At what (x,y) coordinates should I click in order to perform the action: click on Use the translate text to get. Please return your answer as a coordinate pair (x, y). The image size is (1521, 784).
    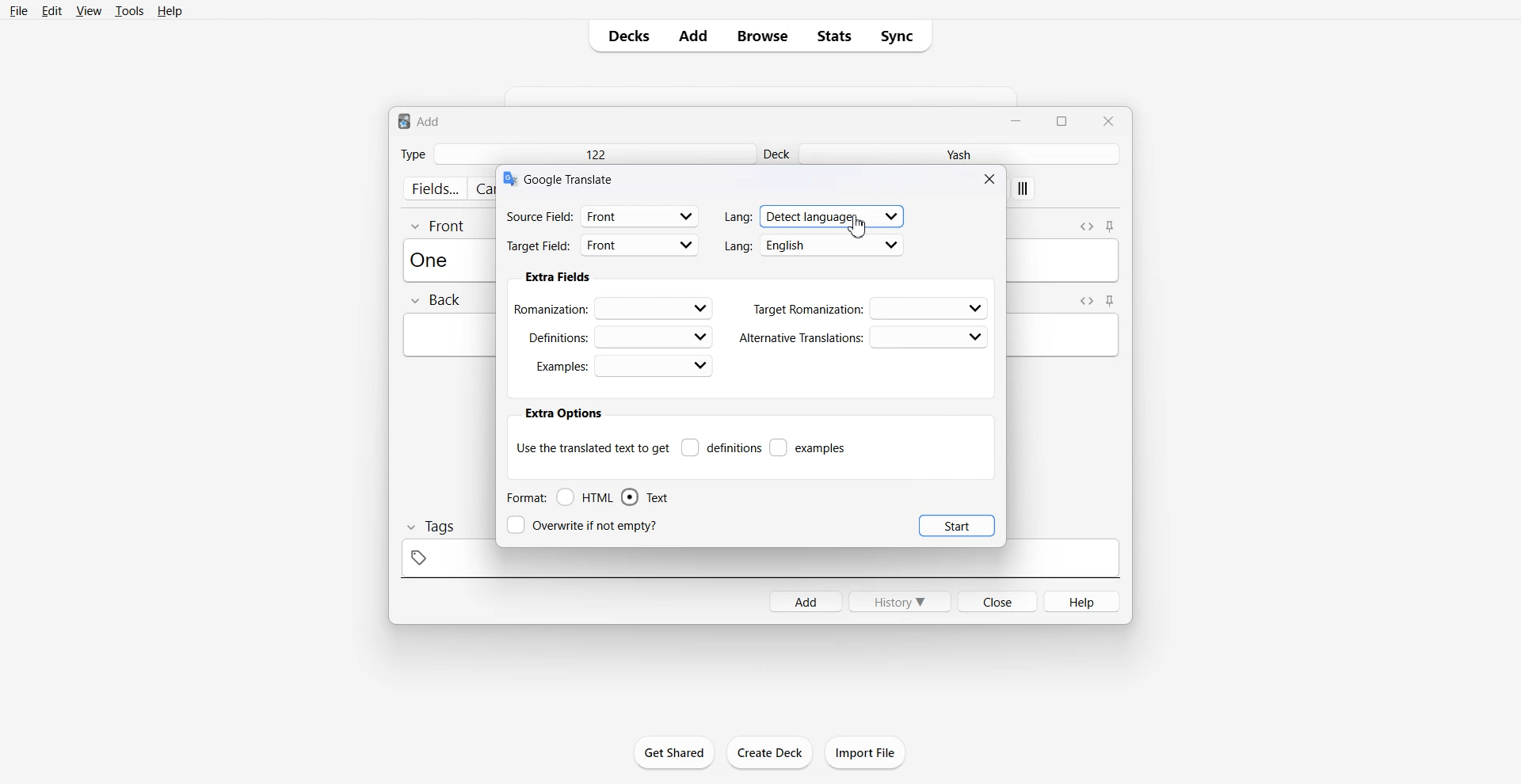
    Looking at the image, I should click on (593, 447).